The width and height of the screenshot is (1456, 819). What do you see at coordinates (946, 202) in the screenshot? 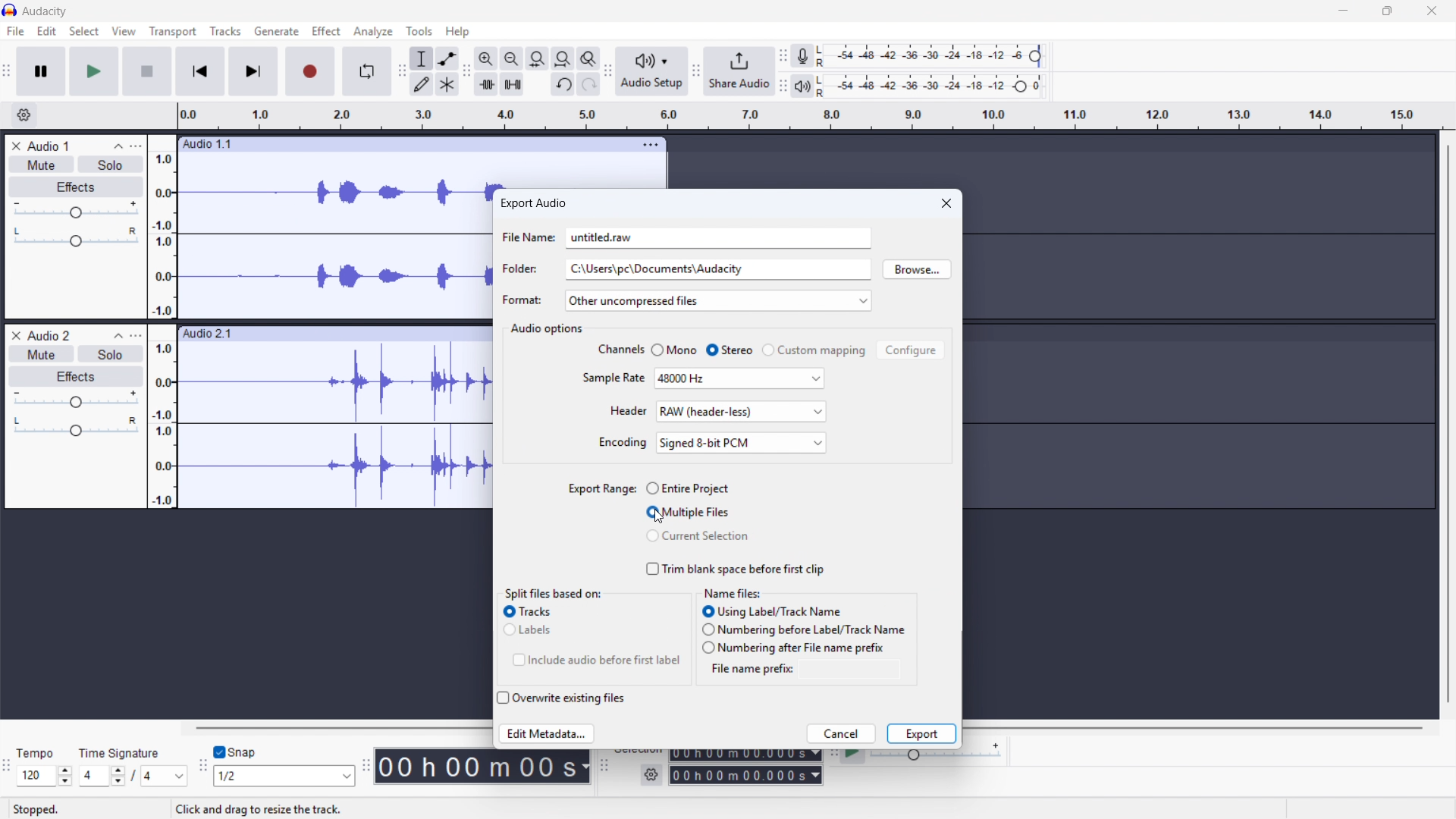
I see `close ` at bounding box center [946, 202].